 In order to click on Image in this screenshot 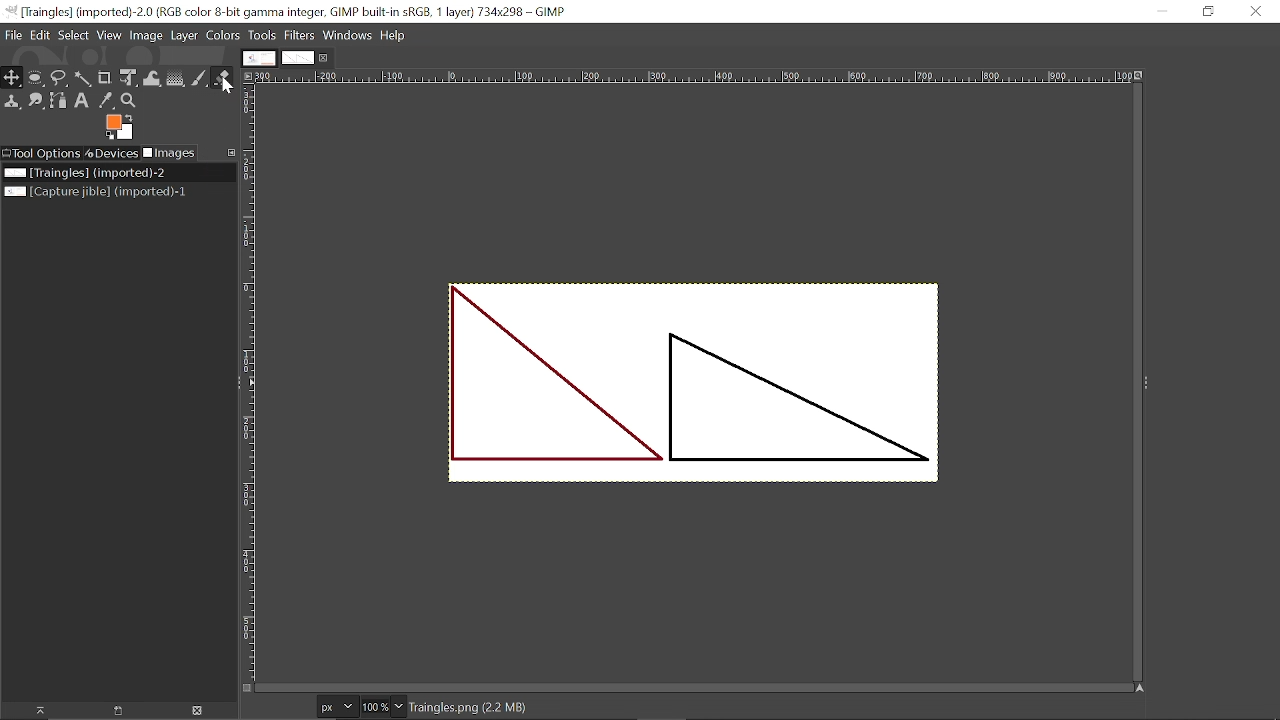, I will do `click(146, 37)`.